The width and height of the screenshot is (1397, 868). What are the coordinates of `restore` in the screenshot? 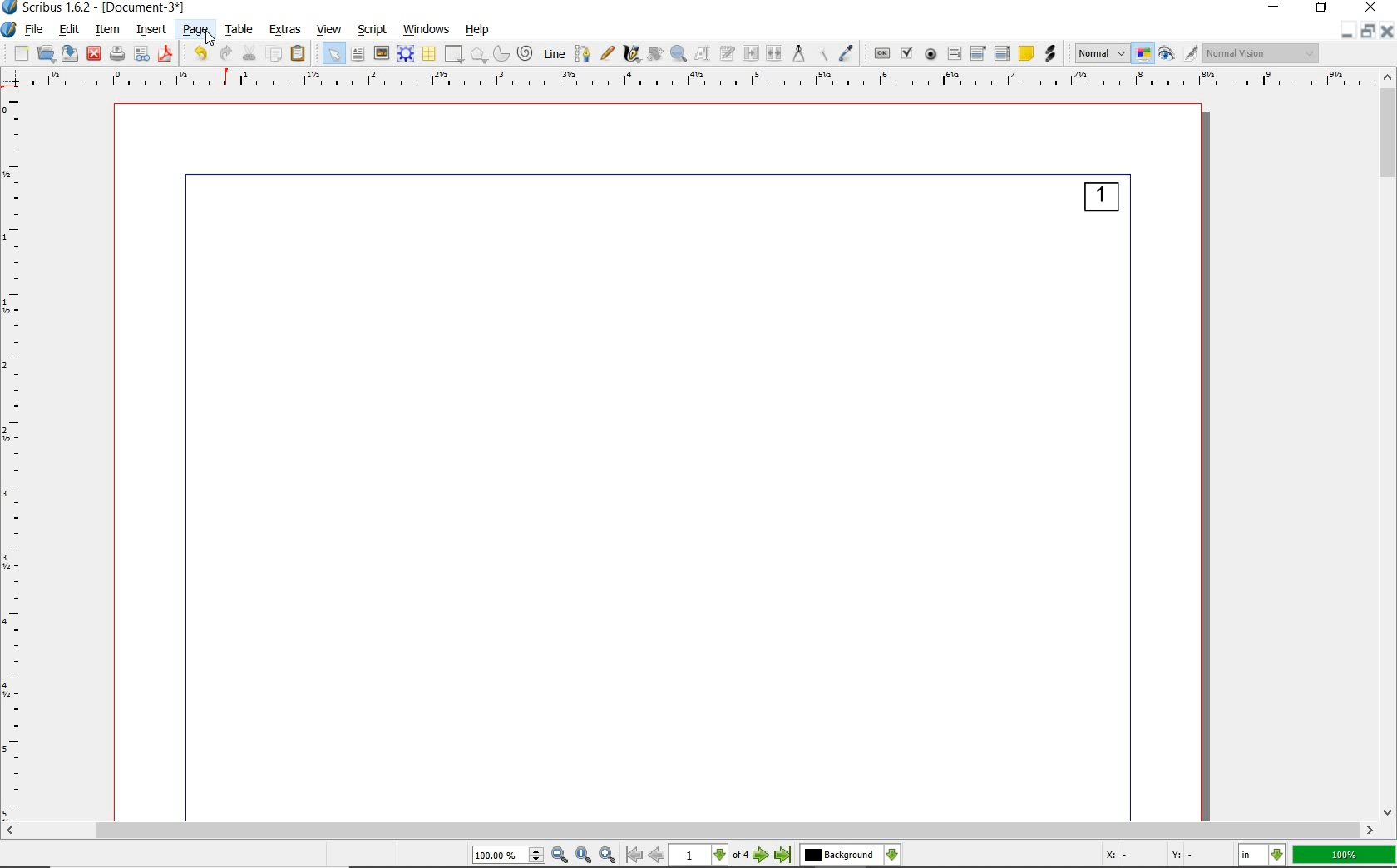 It's located at (1369, 32).